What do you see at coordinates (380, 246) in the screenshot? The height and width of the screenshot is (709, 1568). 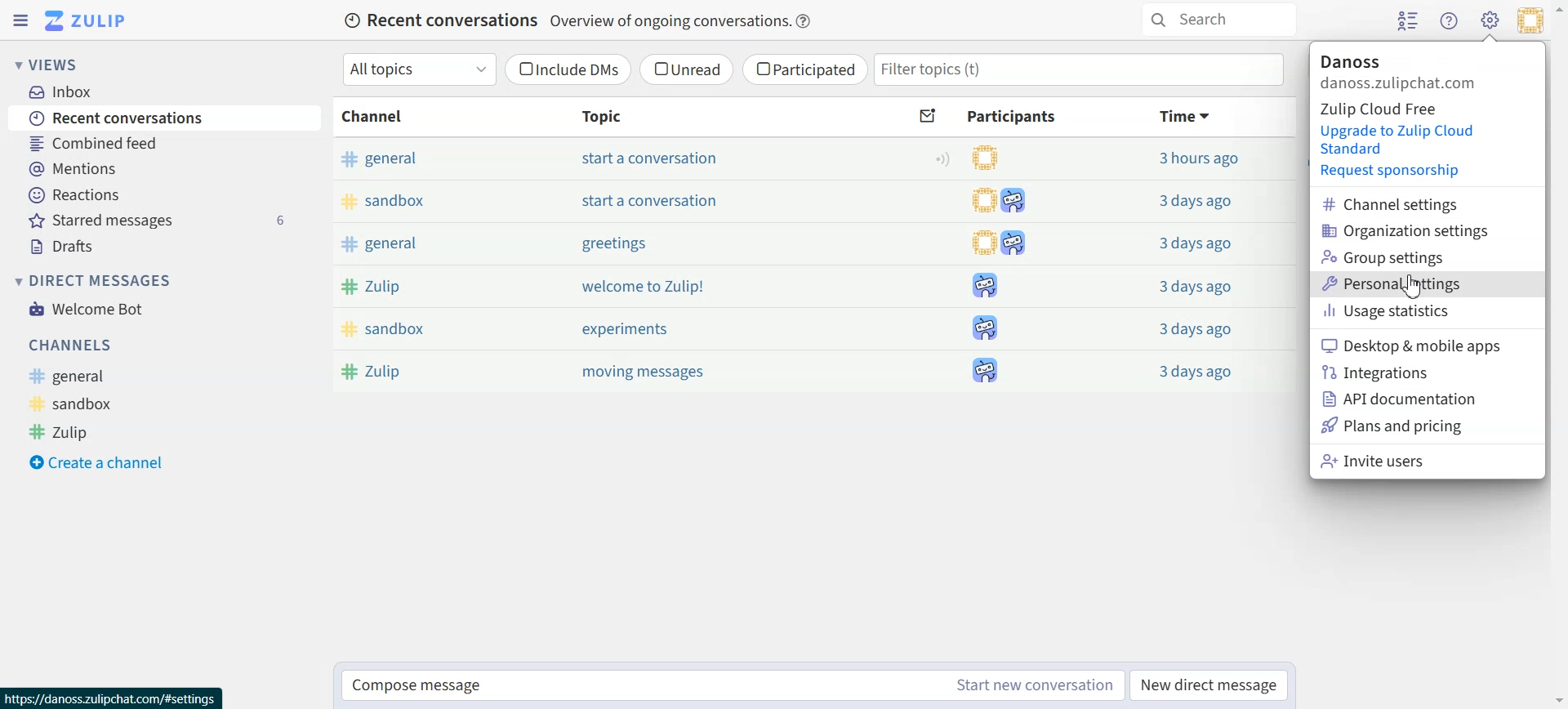 I see `general` at bounding box center [380, 246].